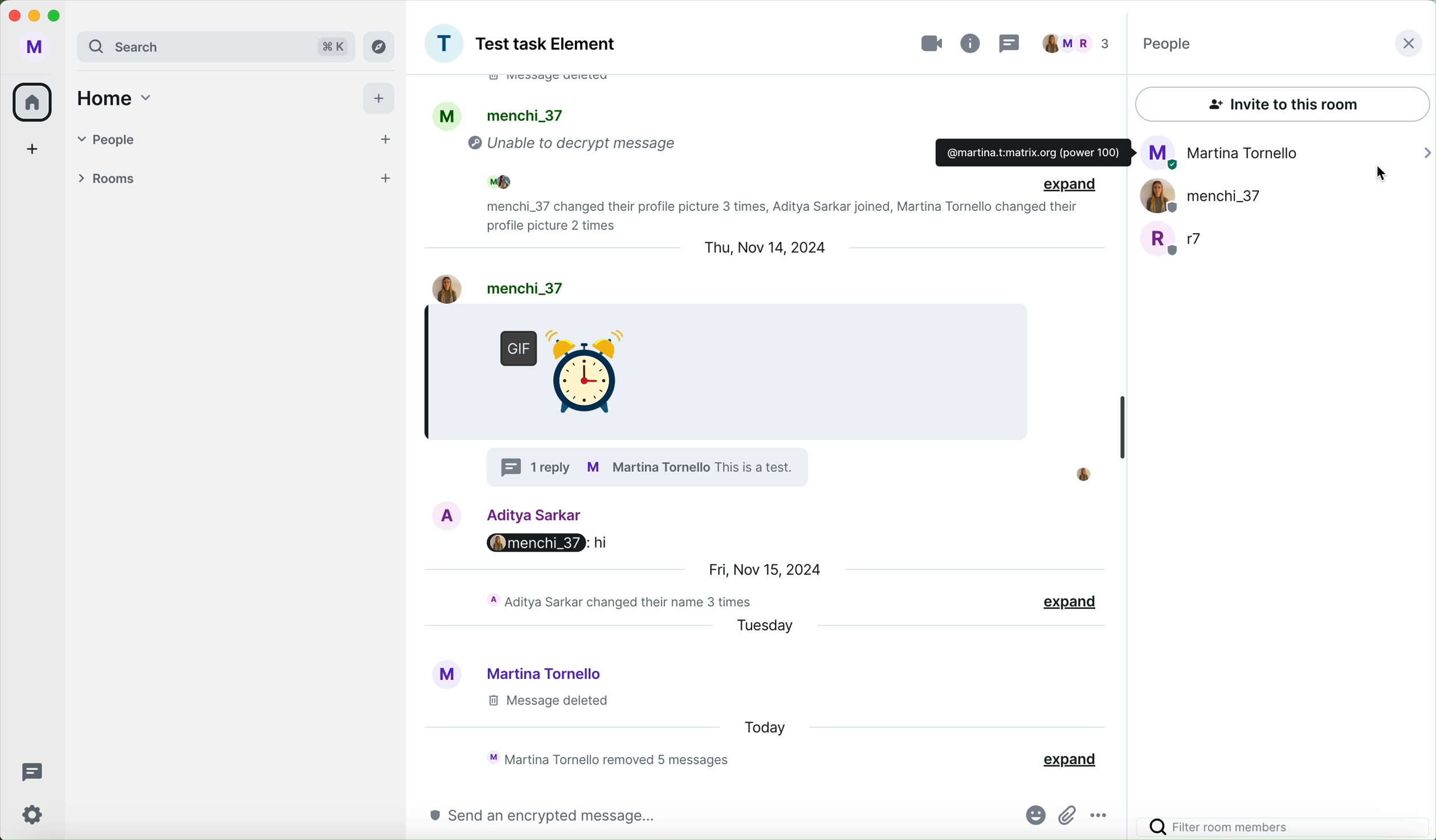  Describe the element at coordinates (546, 702) in the screenshot. I see `message delated` at that location.